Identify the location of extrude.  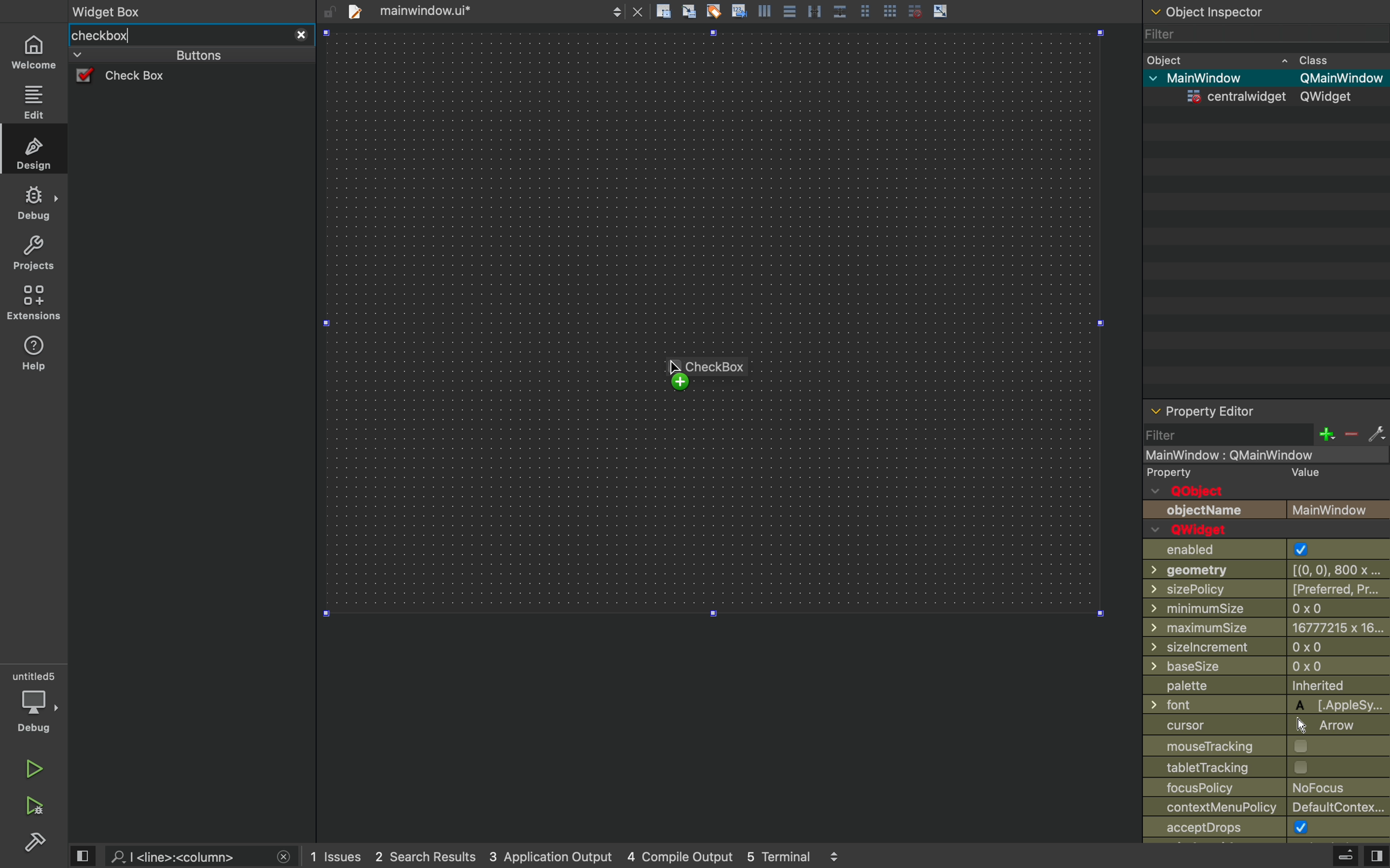
(1346, 855).